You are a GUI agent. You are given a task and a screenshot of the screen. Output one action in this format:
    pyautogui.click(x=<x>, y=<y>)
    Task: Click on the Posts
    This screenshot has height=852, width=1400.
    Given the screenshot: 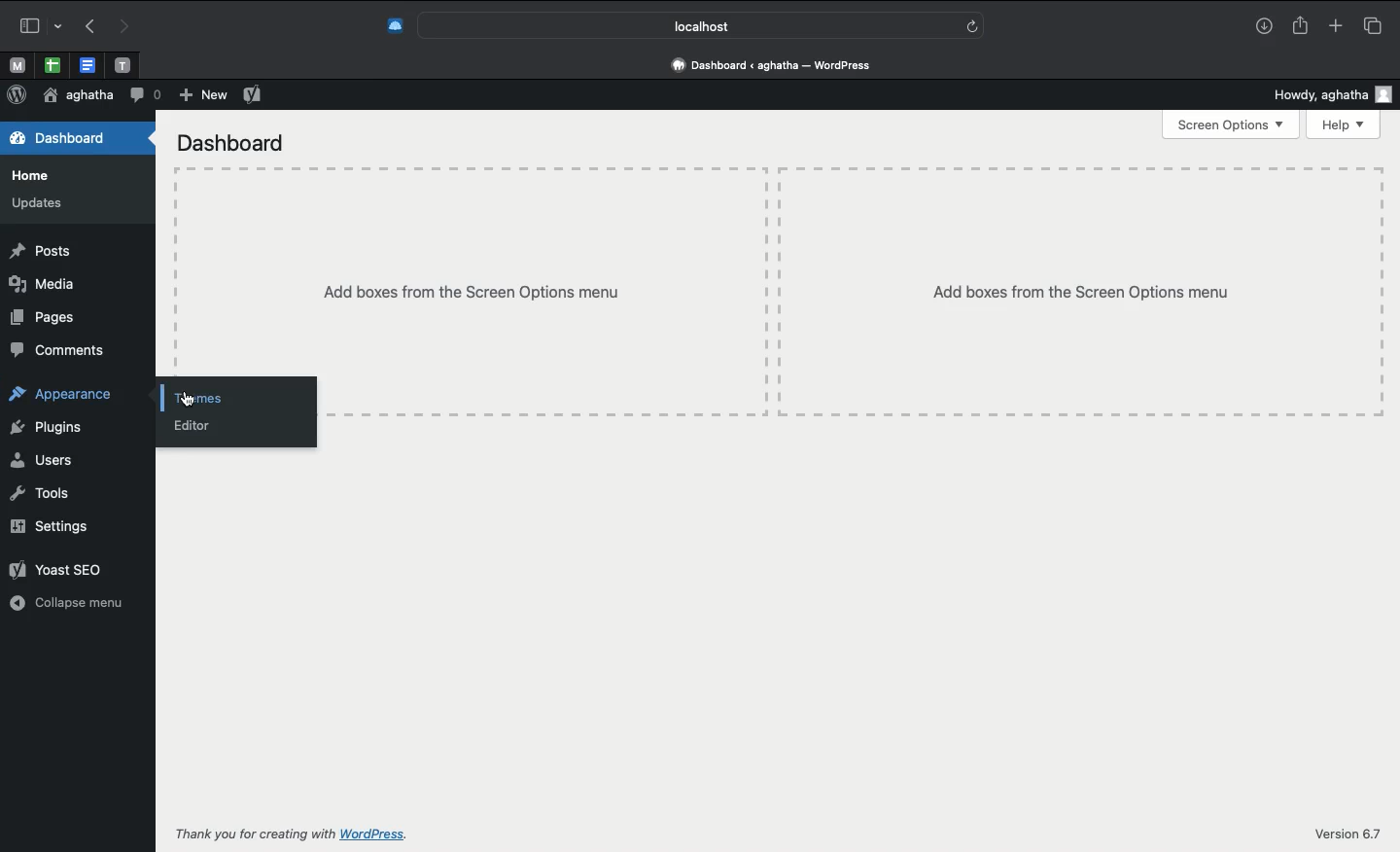 What is the action you would take?
    pyautogui.click(x=37, y=251)
    